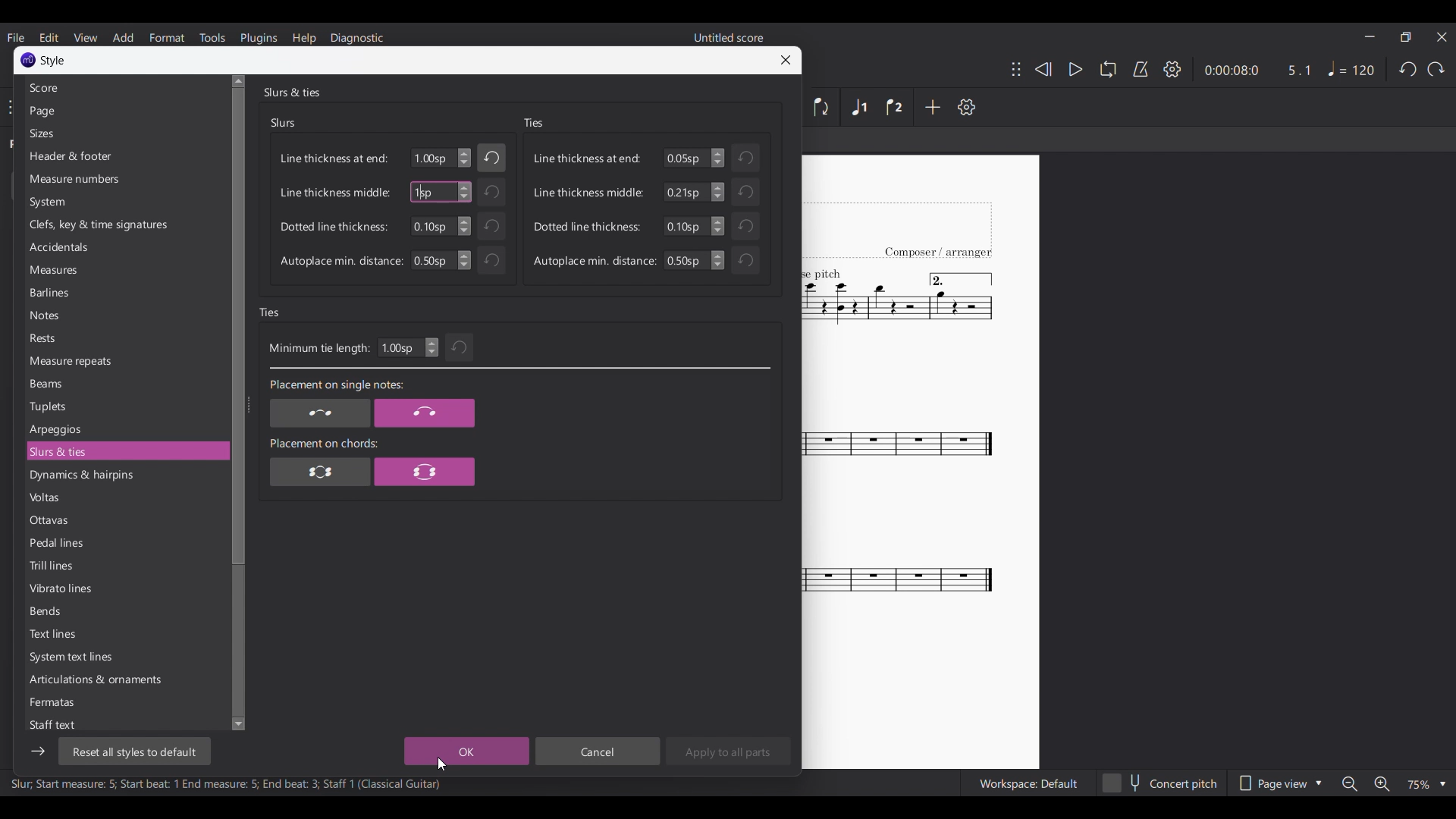 This screenshot has height=819, width=1456. Describe the element at coordinates (319, 413) in the screenshot. I see `Placement on single notes option 1` at that location.